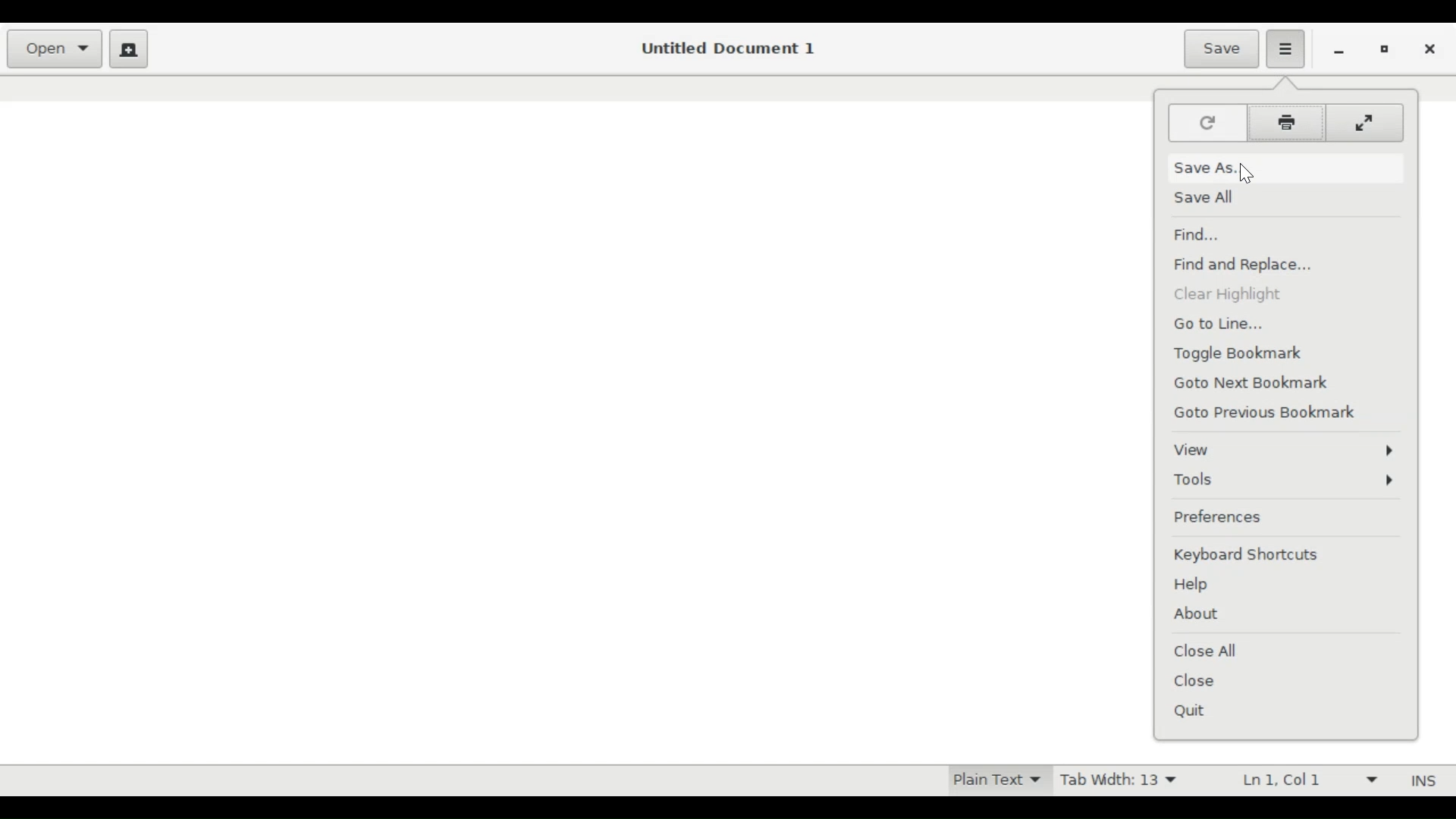 Image resolution: width=1456 pixels, height=819 pixels. I want to click on Untitled Document 1, so click(726, 49).